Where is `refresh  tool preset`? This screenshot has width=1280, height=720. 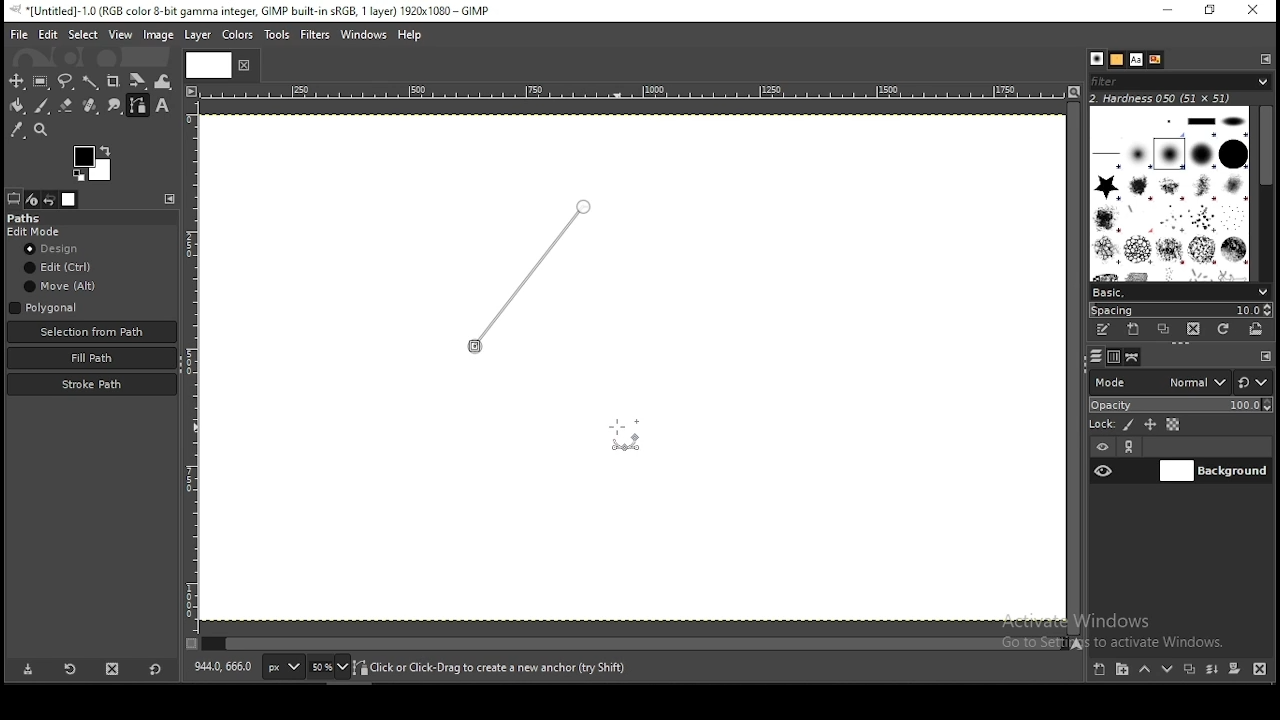 refresh  tool preset is located at coordinates (69, 671).